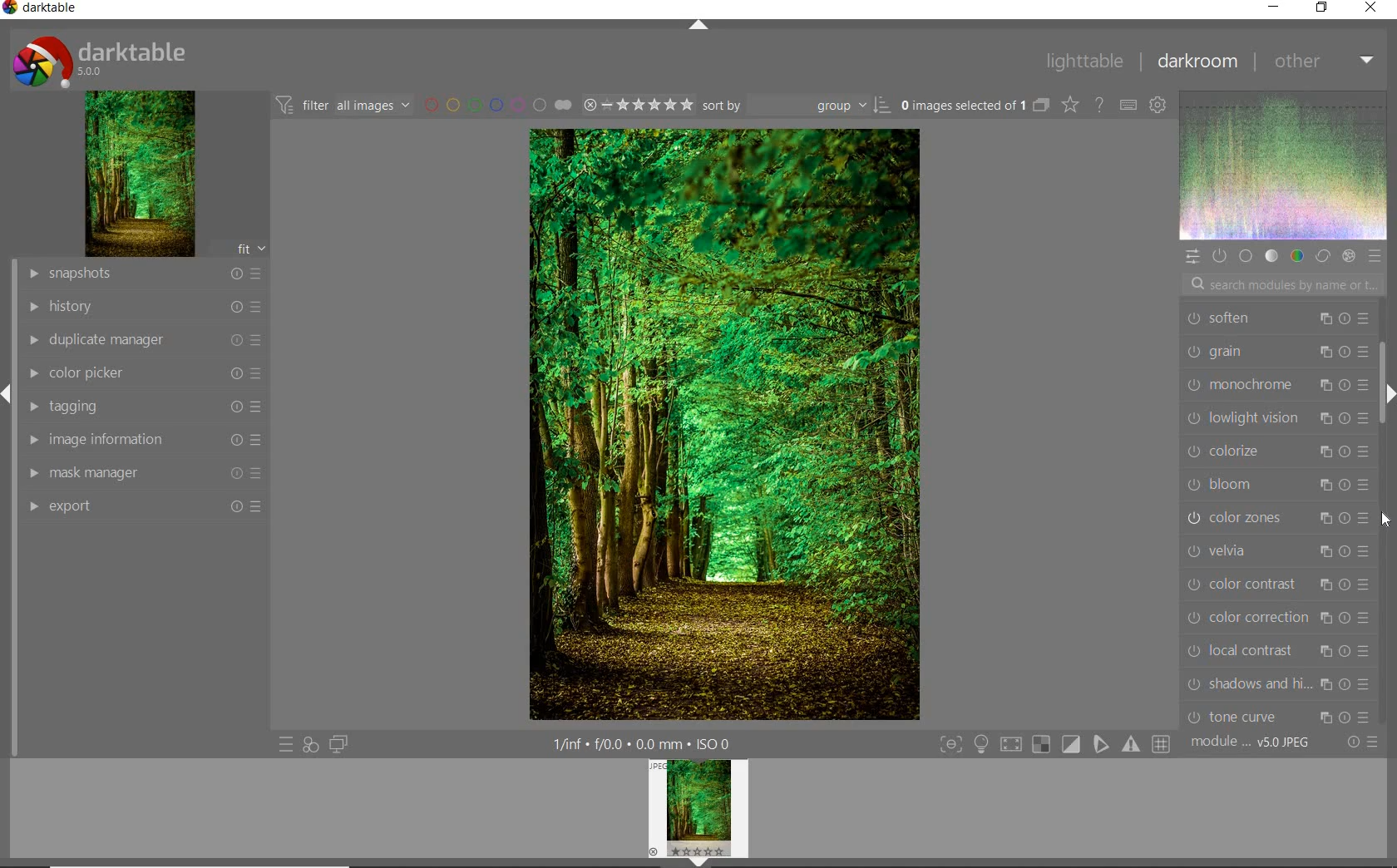 Image resolution: width=1397 pixels, height=868 pixels. I want to click on monochrome, so click(1277, 384).